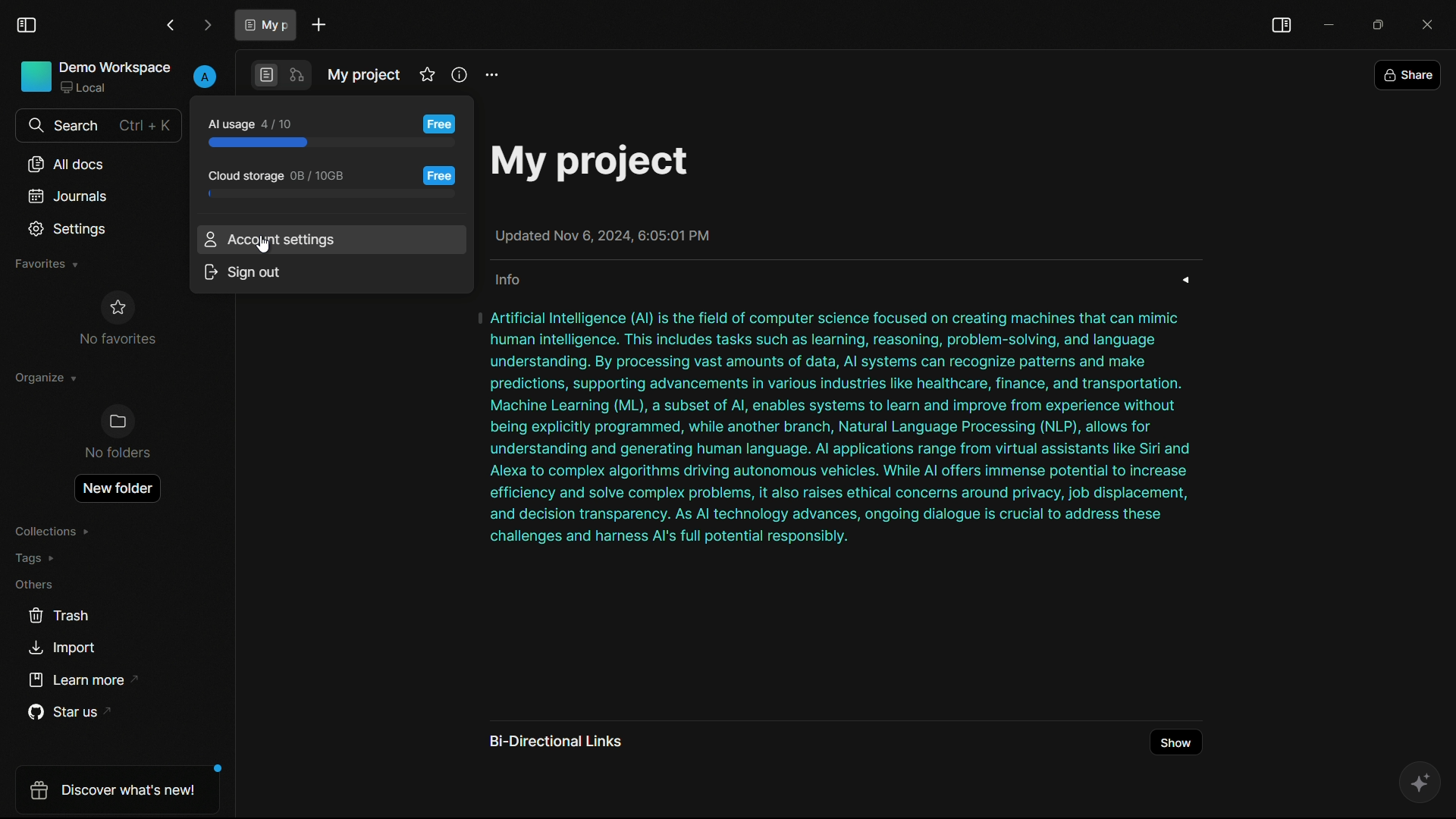  What do you see at coordinates (1279, 23) in the screenshot?
I see `toggle sidebar` at bounding box center [1279, 23].